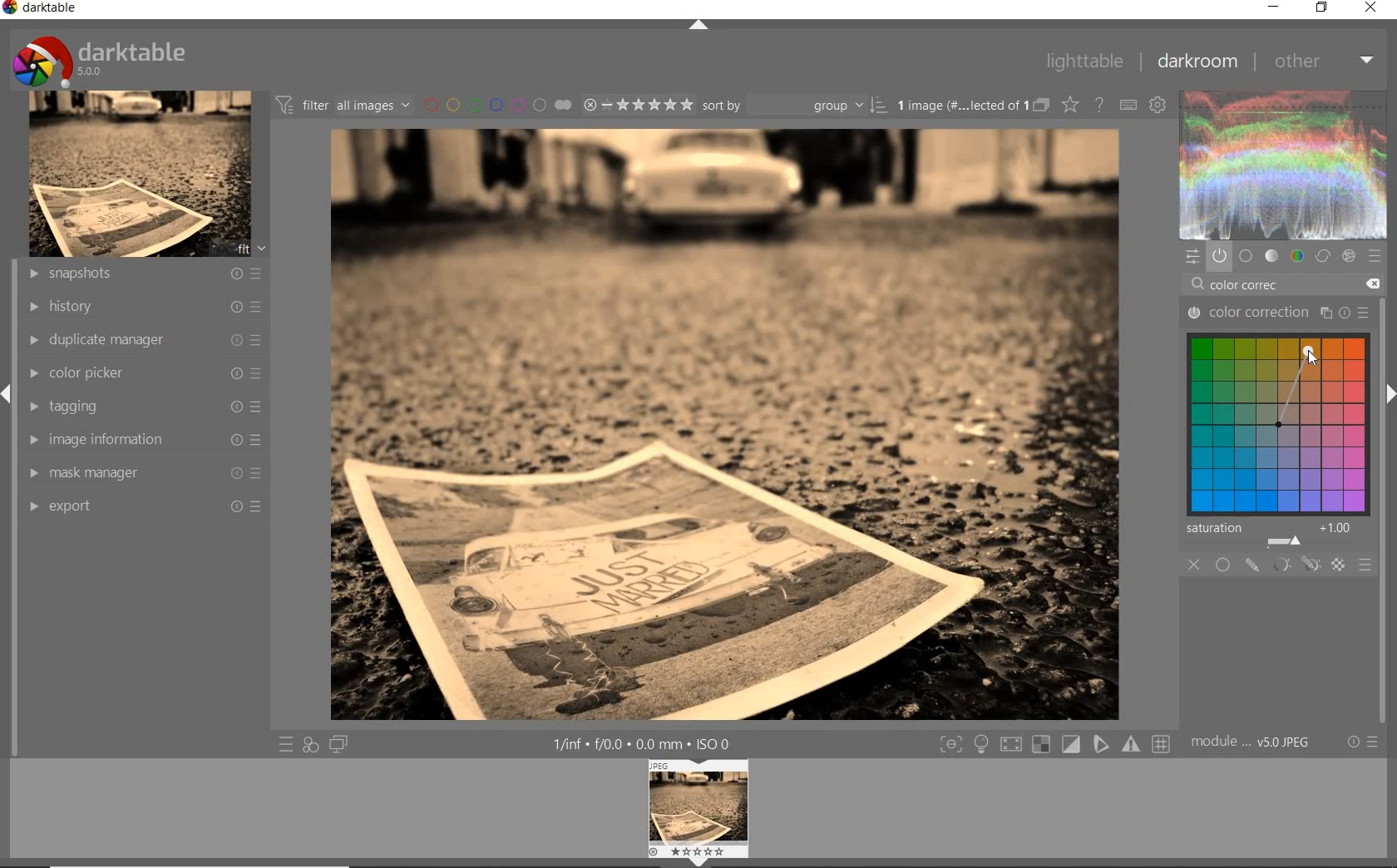  I want to click on toggle modes, so click(1056, 742).